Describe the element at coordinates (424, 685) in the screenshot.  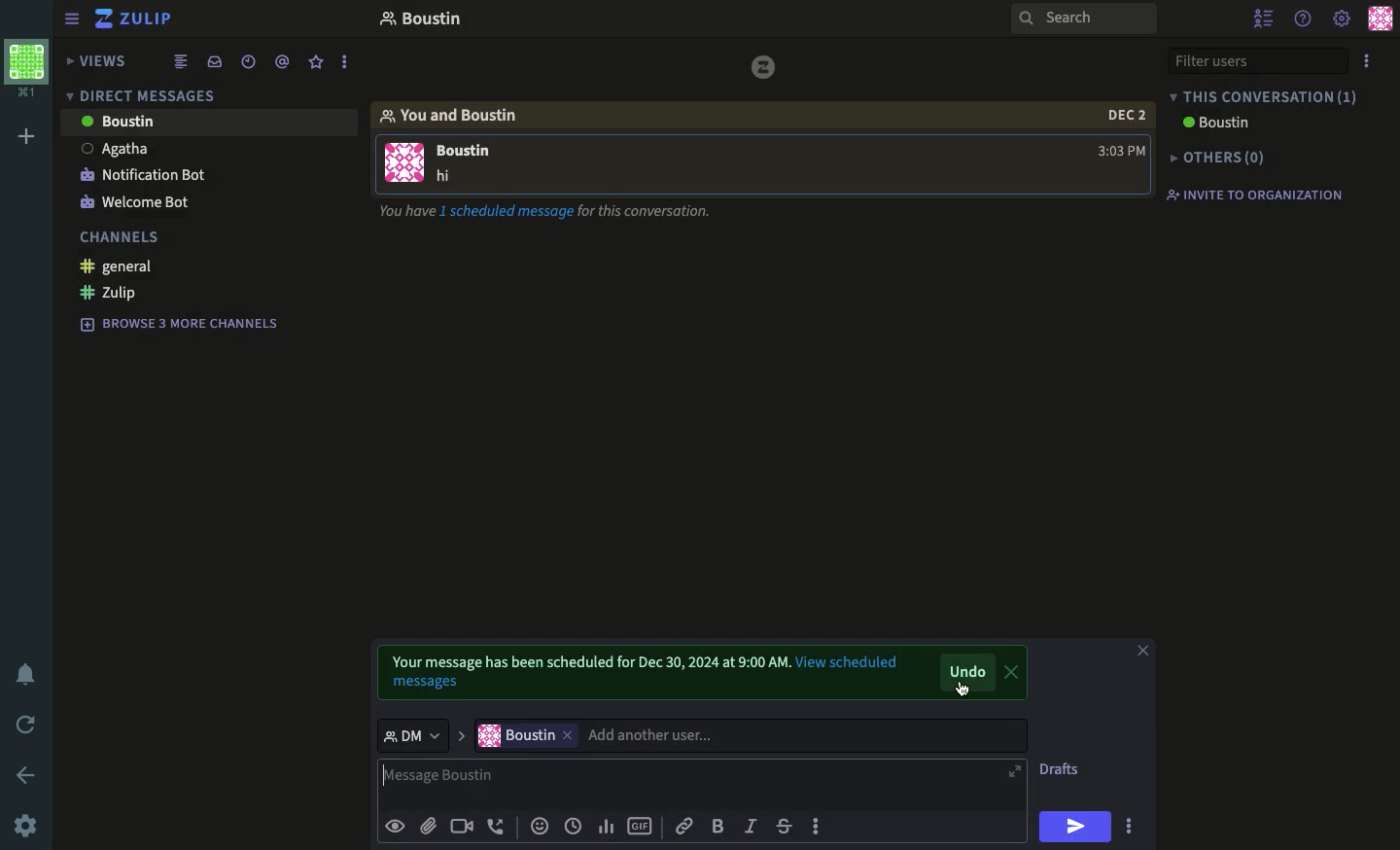
I see `view scheduled messages` at that location.